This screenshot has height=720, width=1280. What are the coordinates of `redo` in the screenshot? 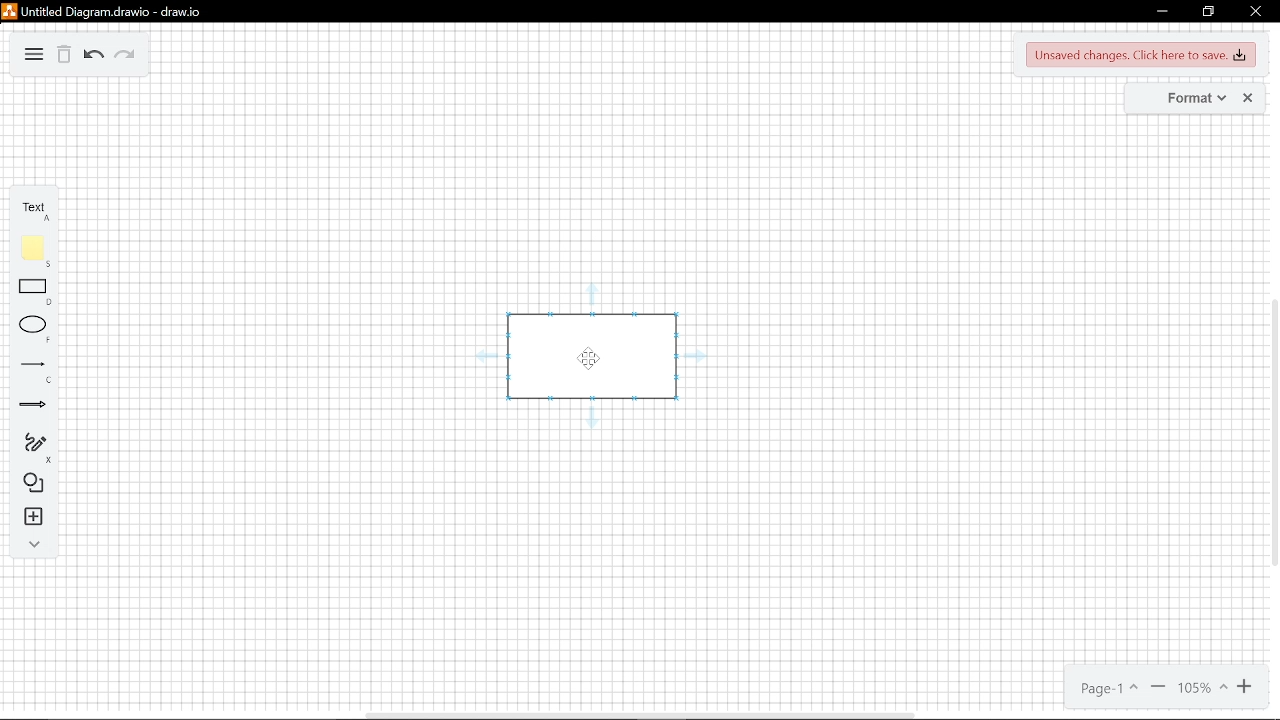 It's located at (126, 57).